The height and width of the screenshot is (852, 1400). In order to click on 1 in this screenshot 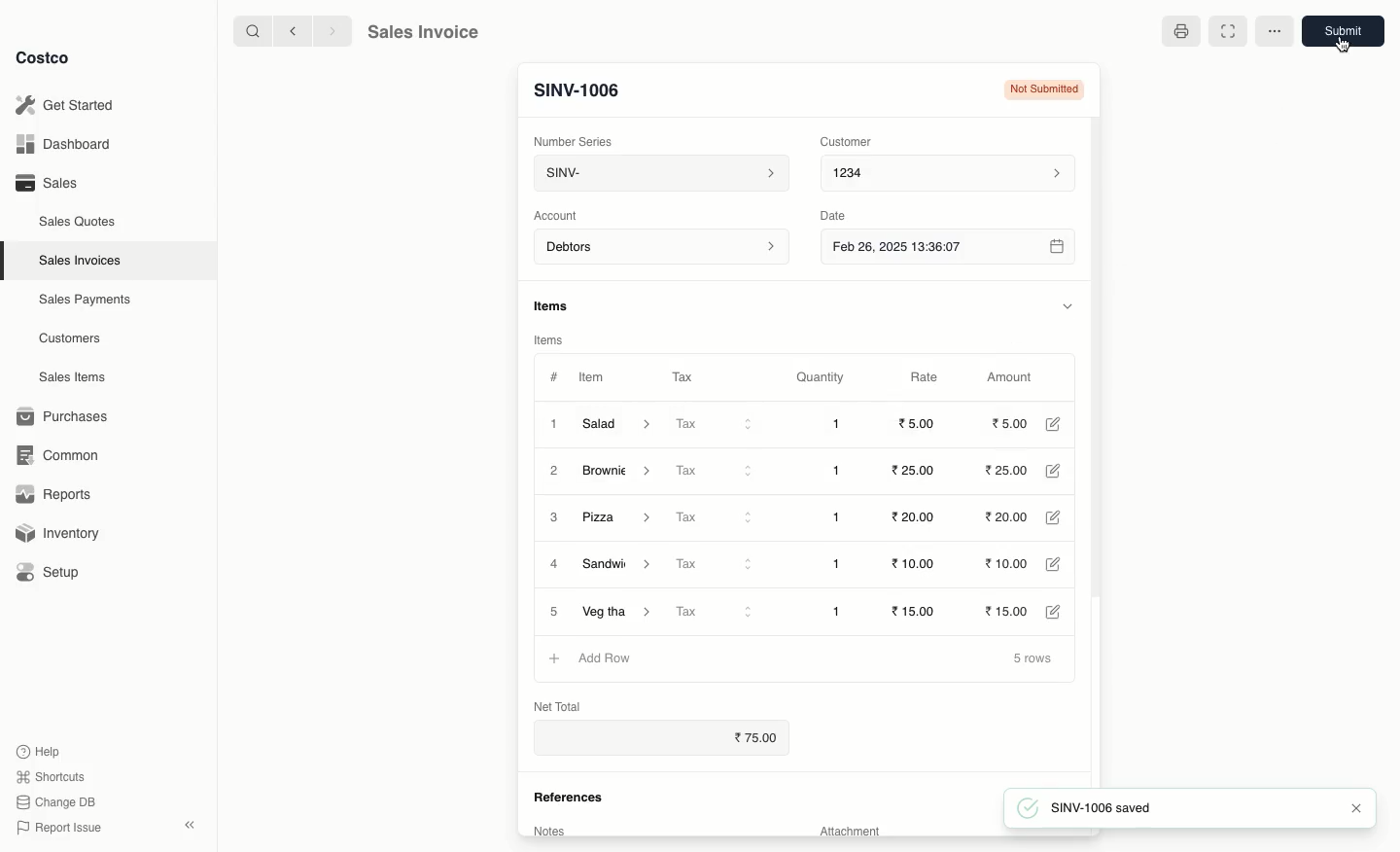, I will do `click(836, 424)`.